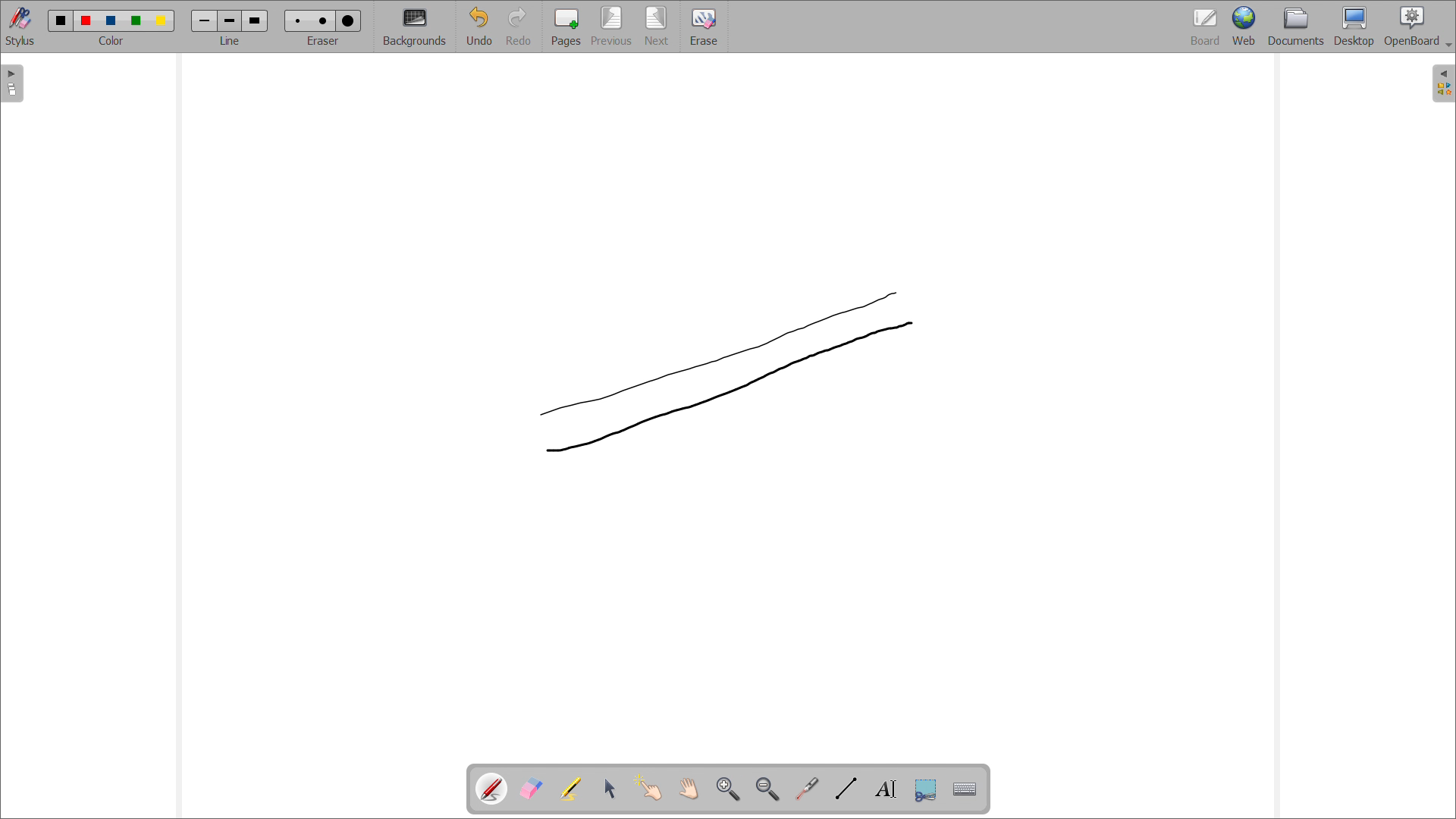 The image size is (1456, 819). I want to click on board, so click(1204, 27).